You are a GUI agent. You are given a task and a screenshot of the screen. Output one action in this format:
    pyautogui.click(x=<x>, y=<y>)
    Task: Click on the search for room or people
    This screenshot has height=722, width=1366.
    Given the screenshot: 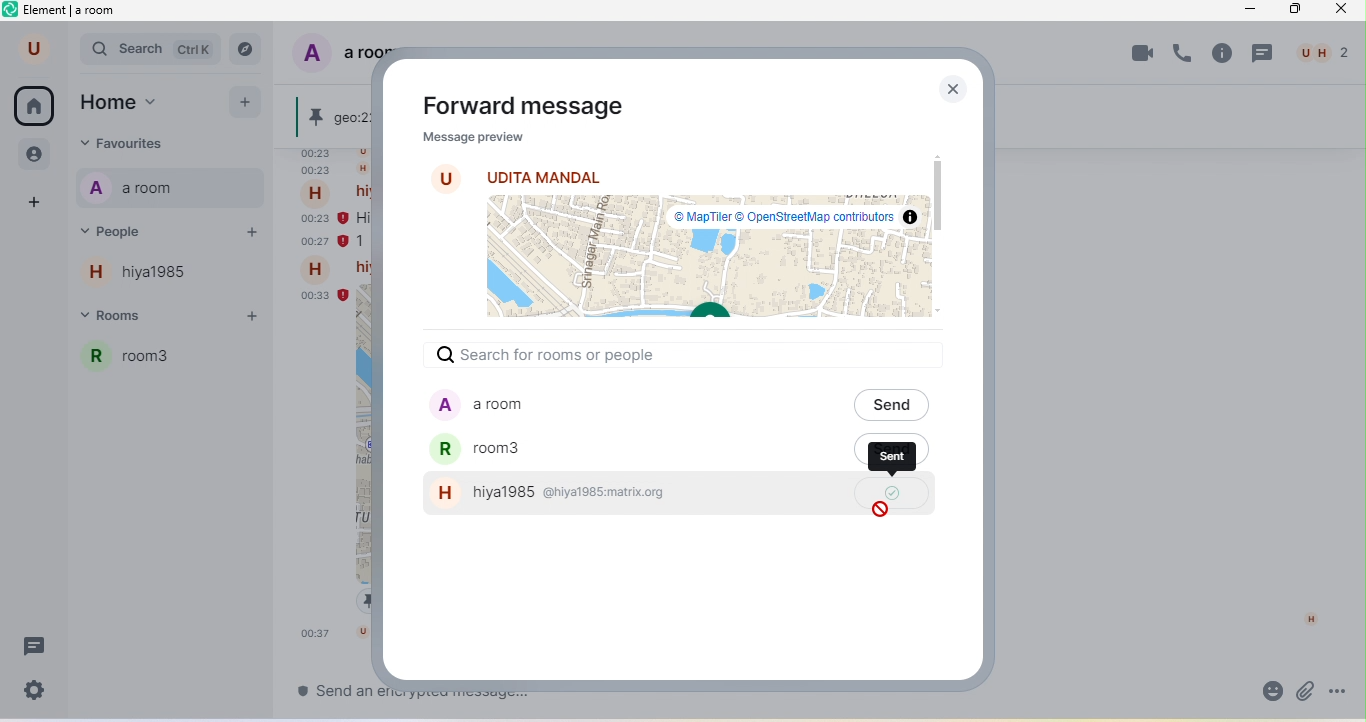 What is the action you would take?
    pyautogui.click(x=558, y=354)
    